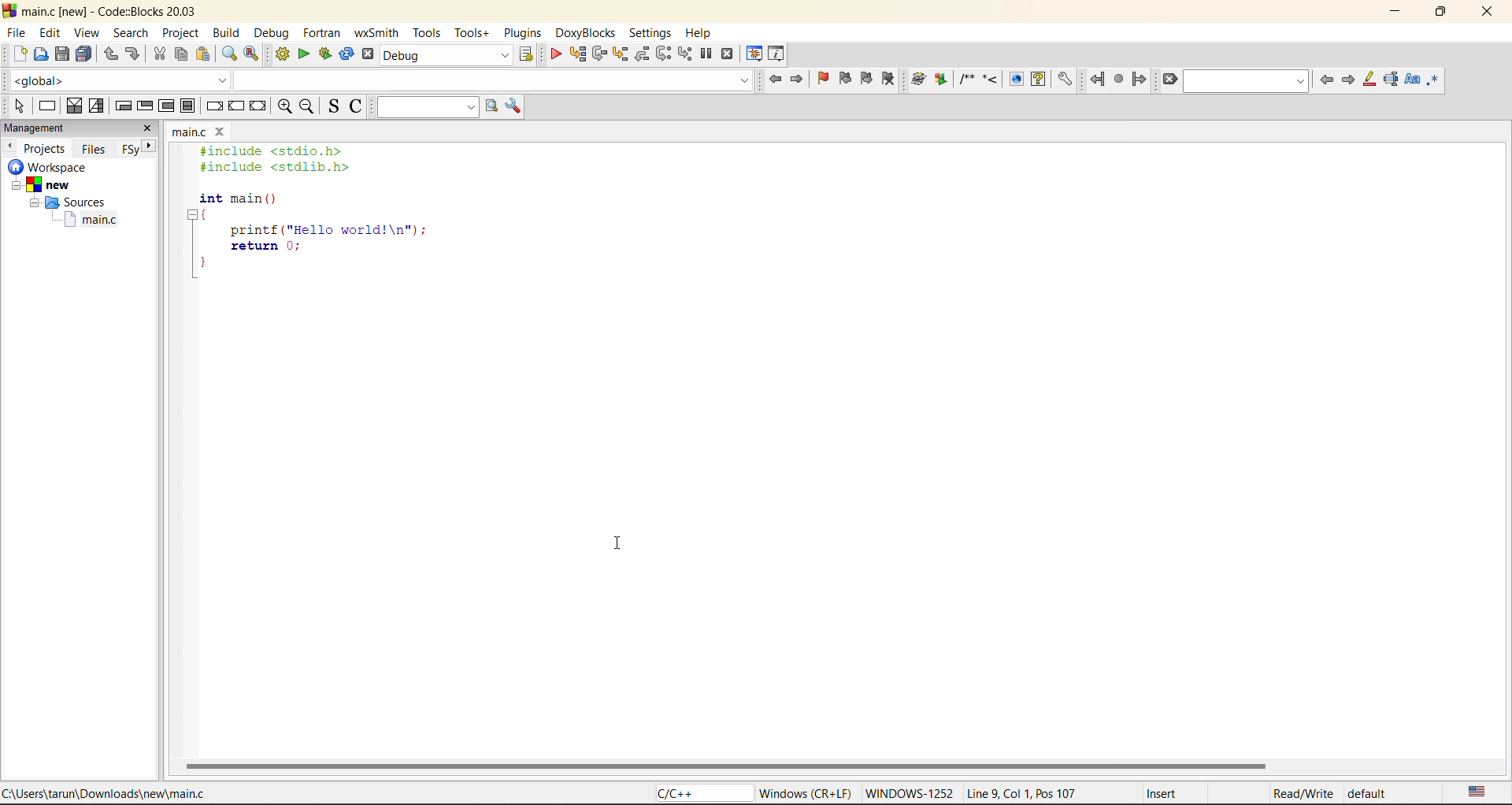  What do you see at coordinates (348, 54) in the screenshot?
I see `rebuild` at bounding box center [348, 54].